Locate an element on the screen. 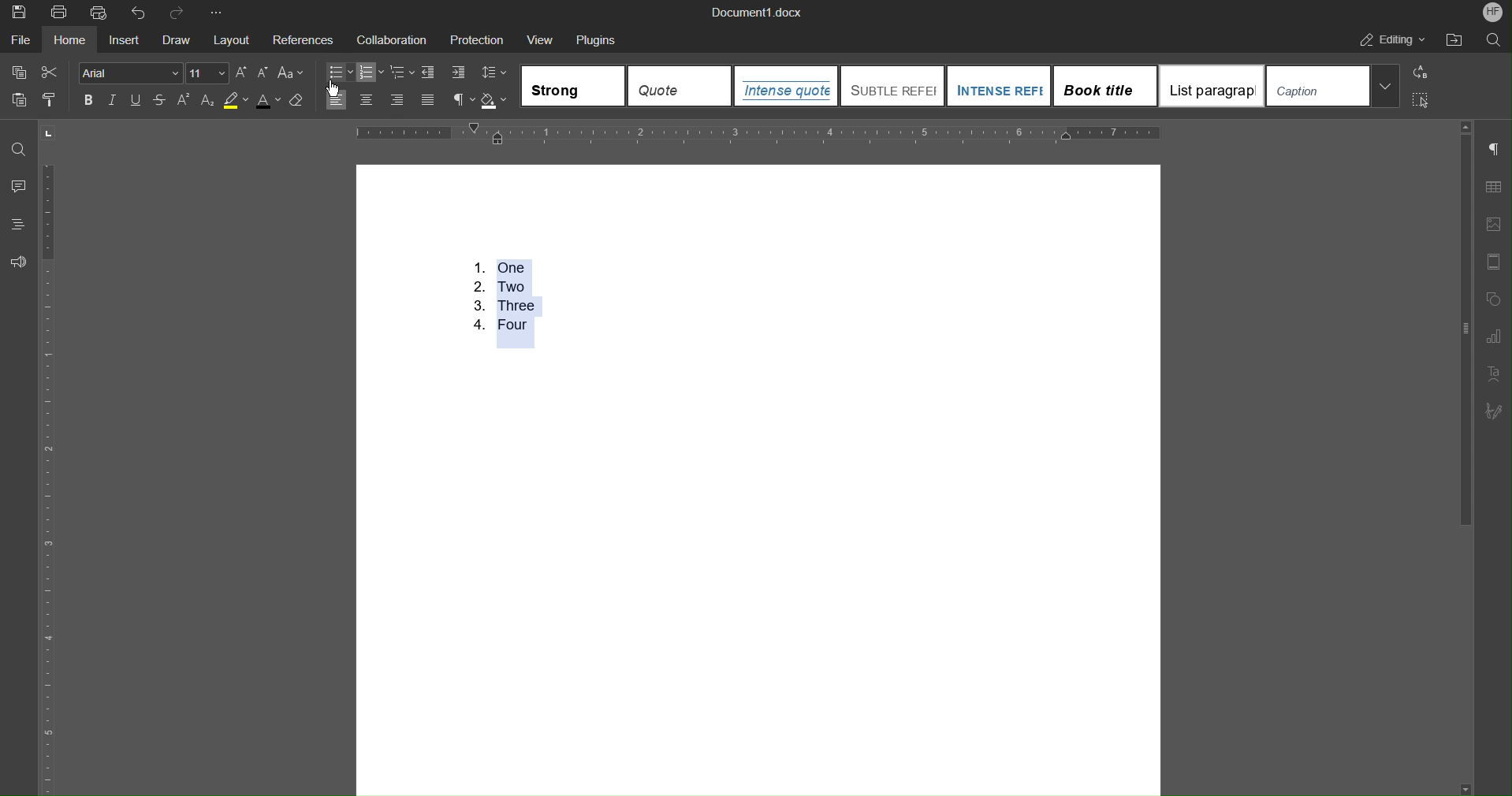 The image size is (1512, 796). Cut is located at coordinates (50, 73).